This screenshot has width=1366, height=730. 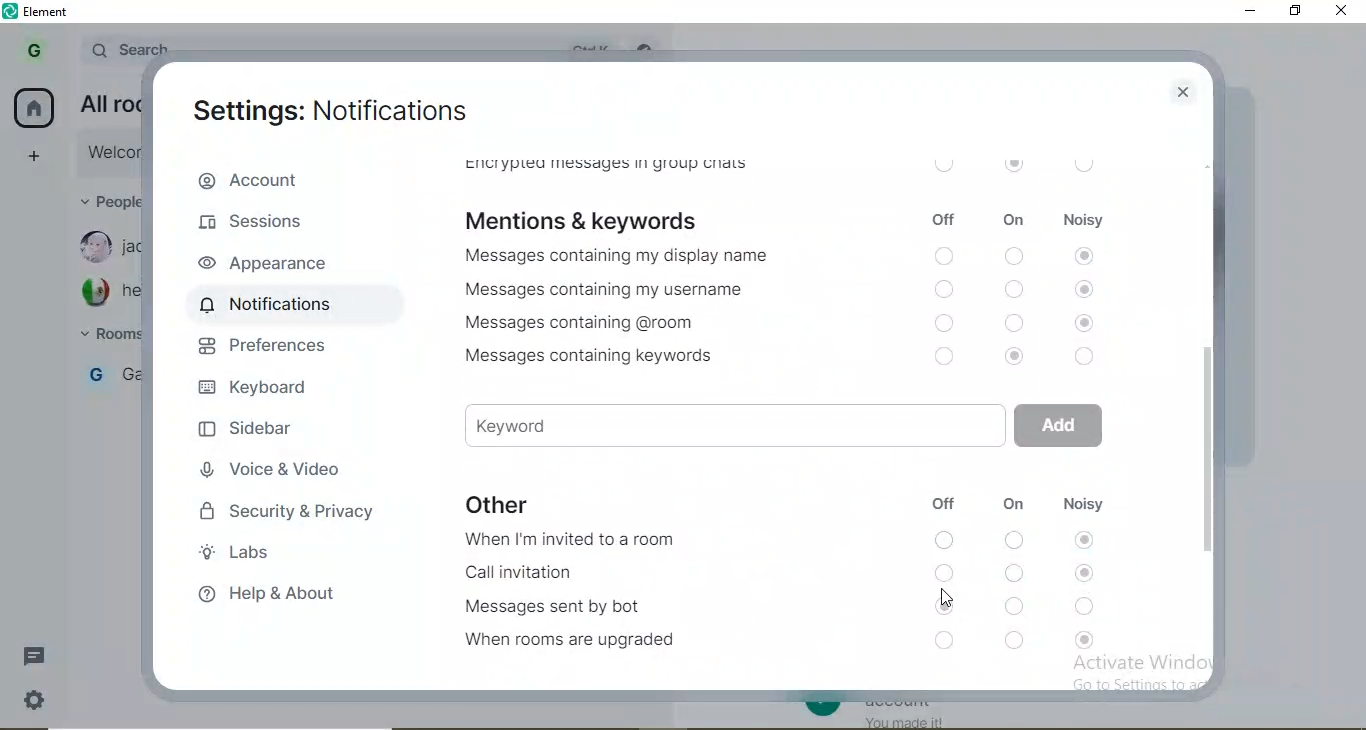 I want to click on keyboard, so click(x=258, y=392).